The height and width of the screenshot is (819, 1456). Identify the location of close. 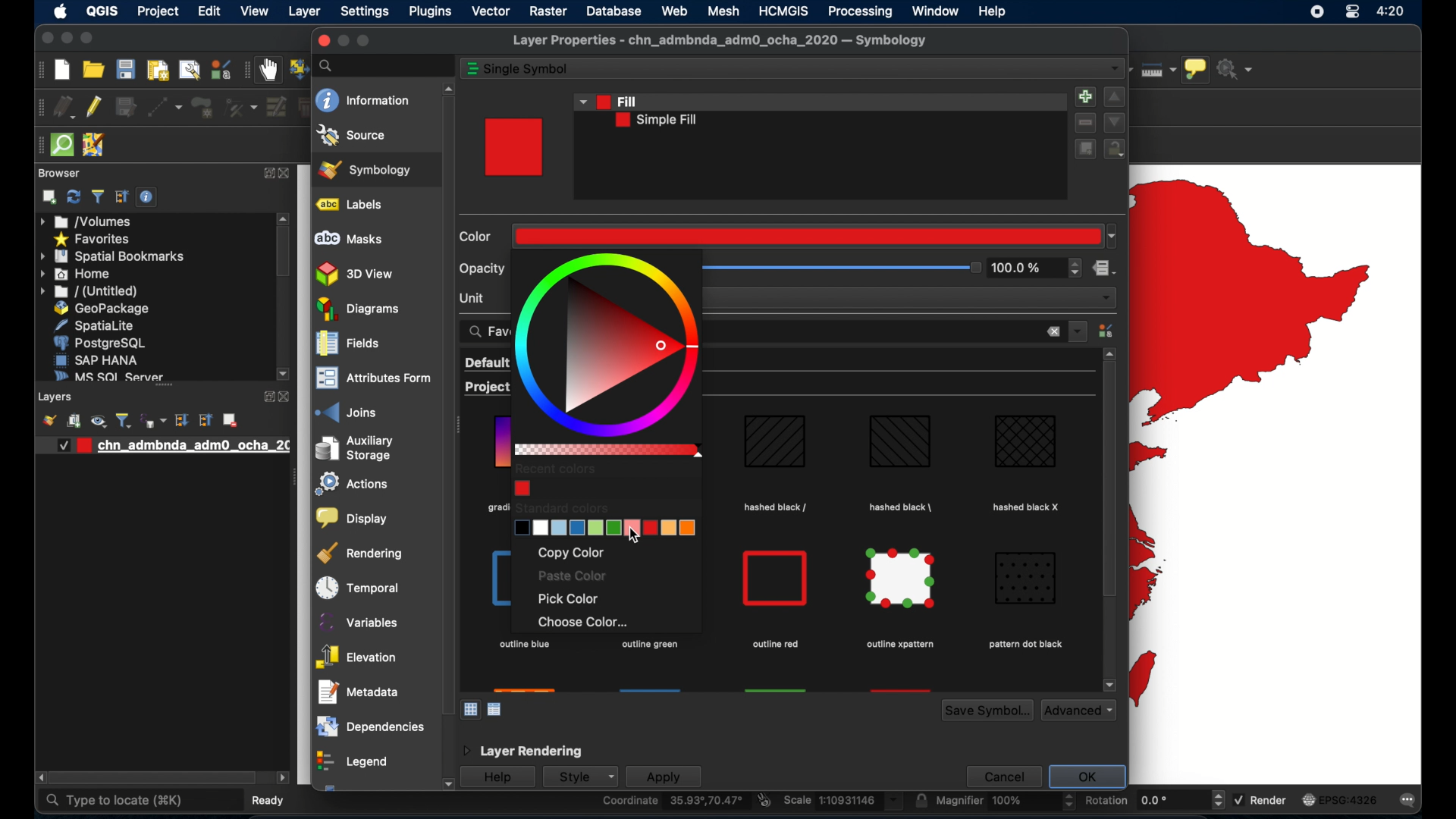
(290, 174).